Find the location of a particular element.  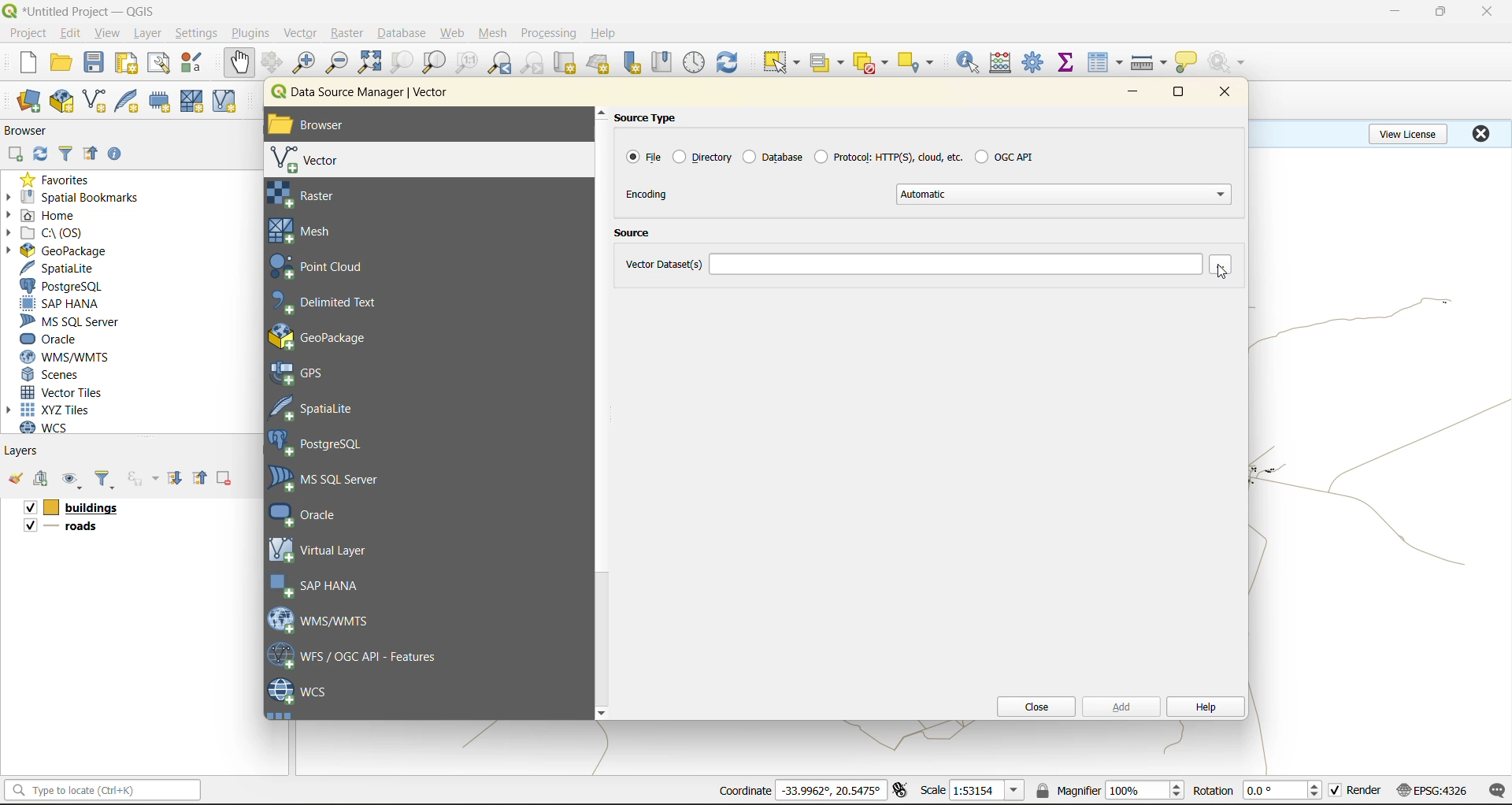

add is located at coordinates (14, 155).